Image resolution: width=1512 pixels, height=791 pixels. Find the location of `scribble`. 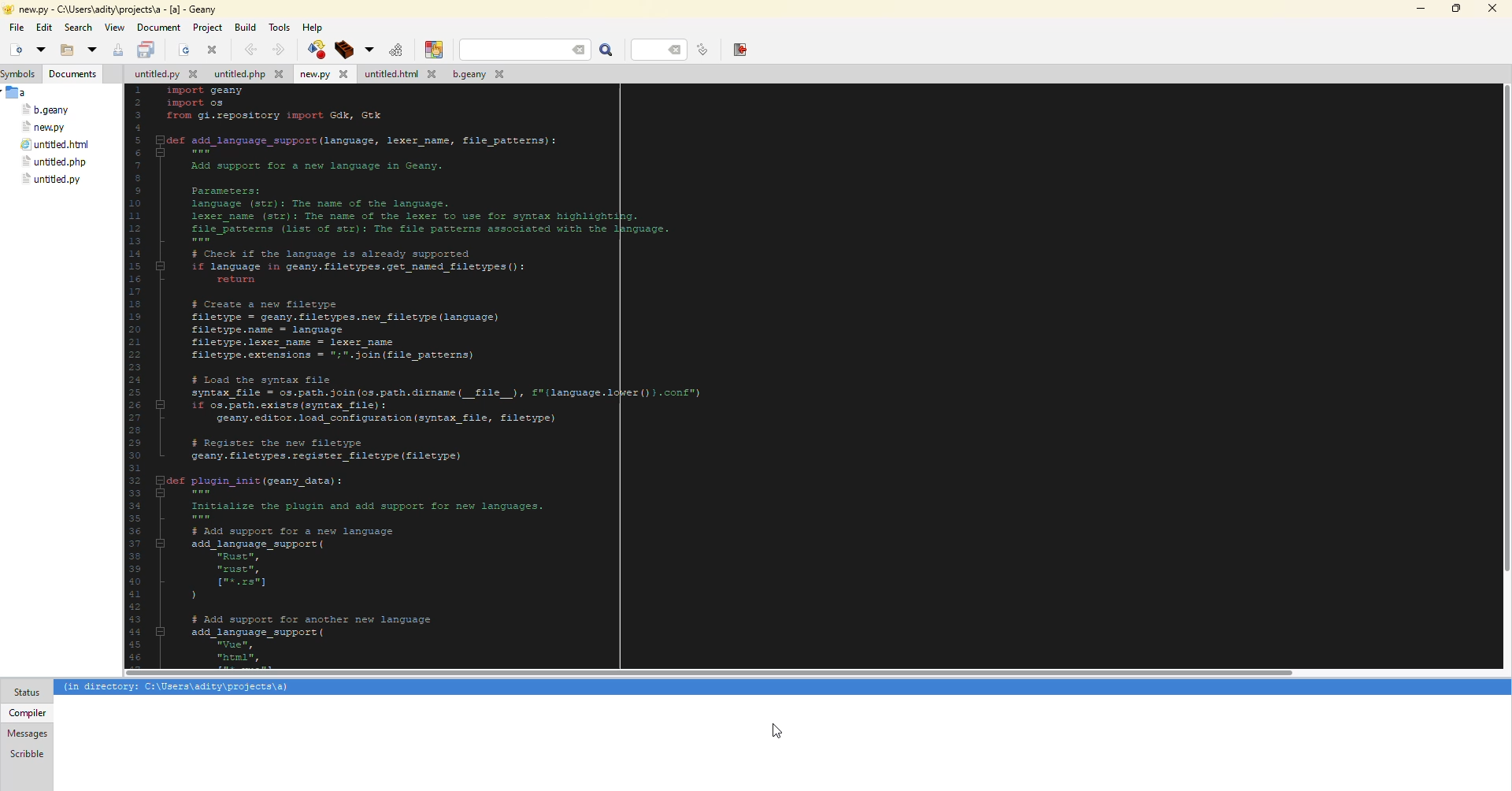

scribble is located at coordinates (28, 753).